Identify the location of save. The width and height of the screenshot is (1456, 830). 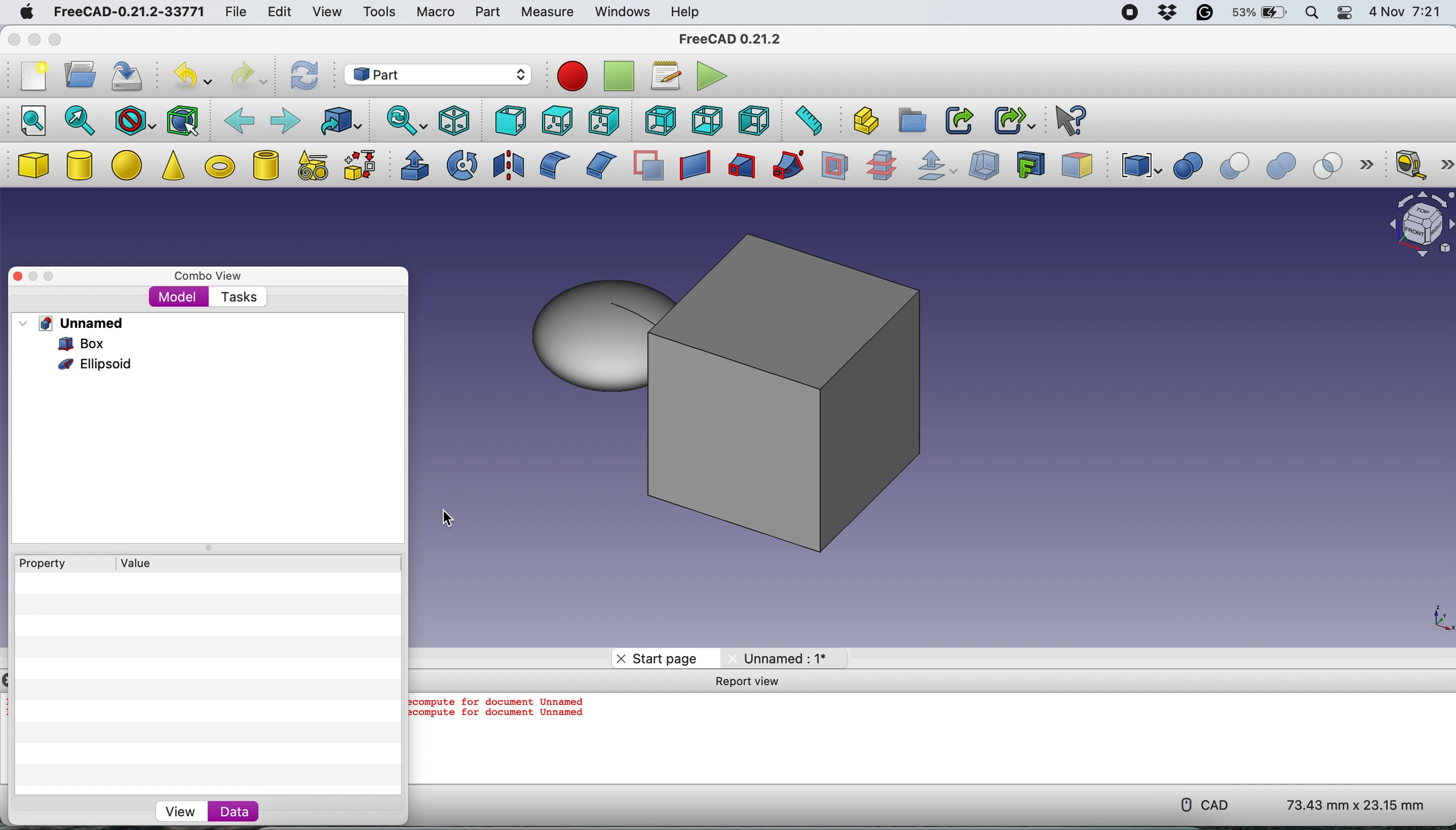
(129, 78).